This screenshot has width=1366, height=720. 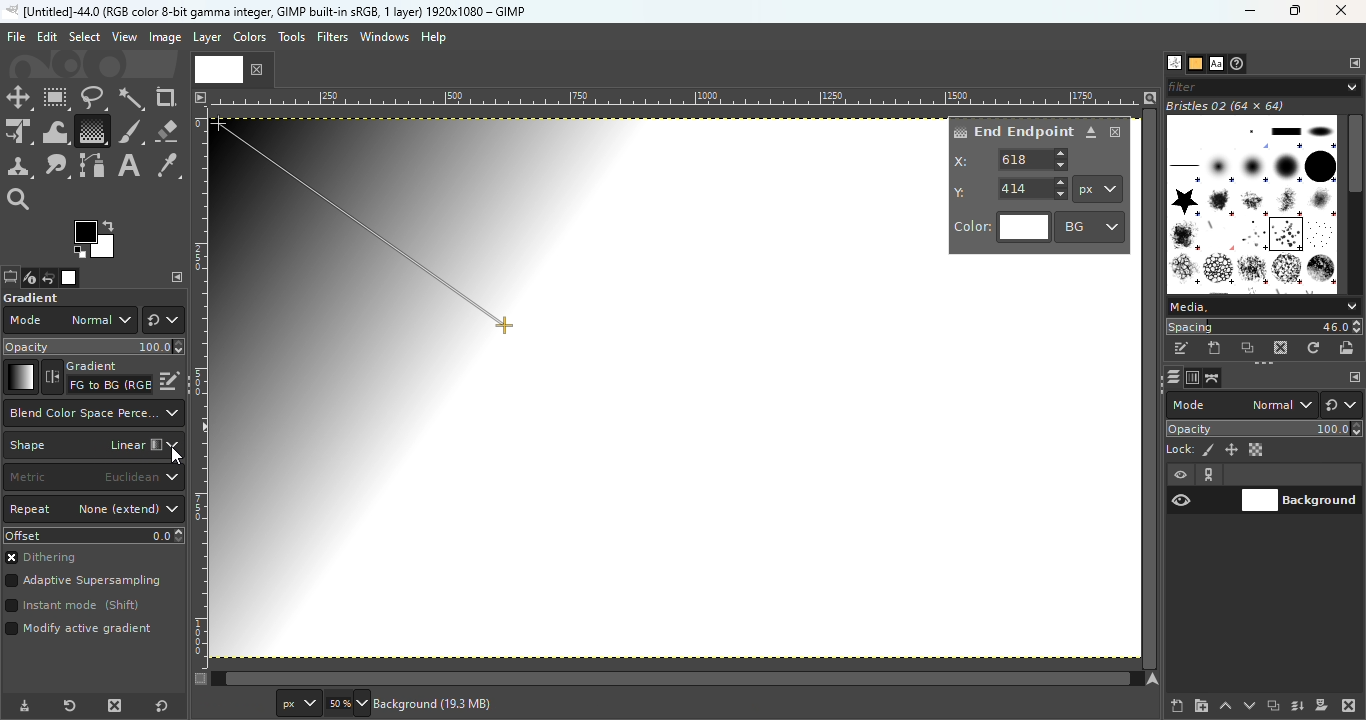 I want to click on Delete tool preset, so click(x=110, y=706).